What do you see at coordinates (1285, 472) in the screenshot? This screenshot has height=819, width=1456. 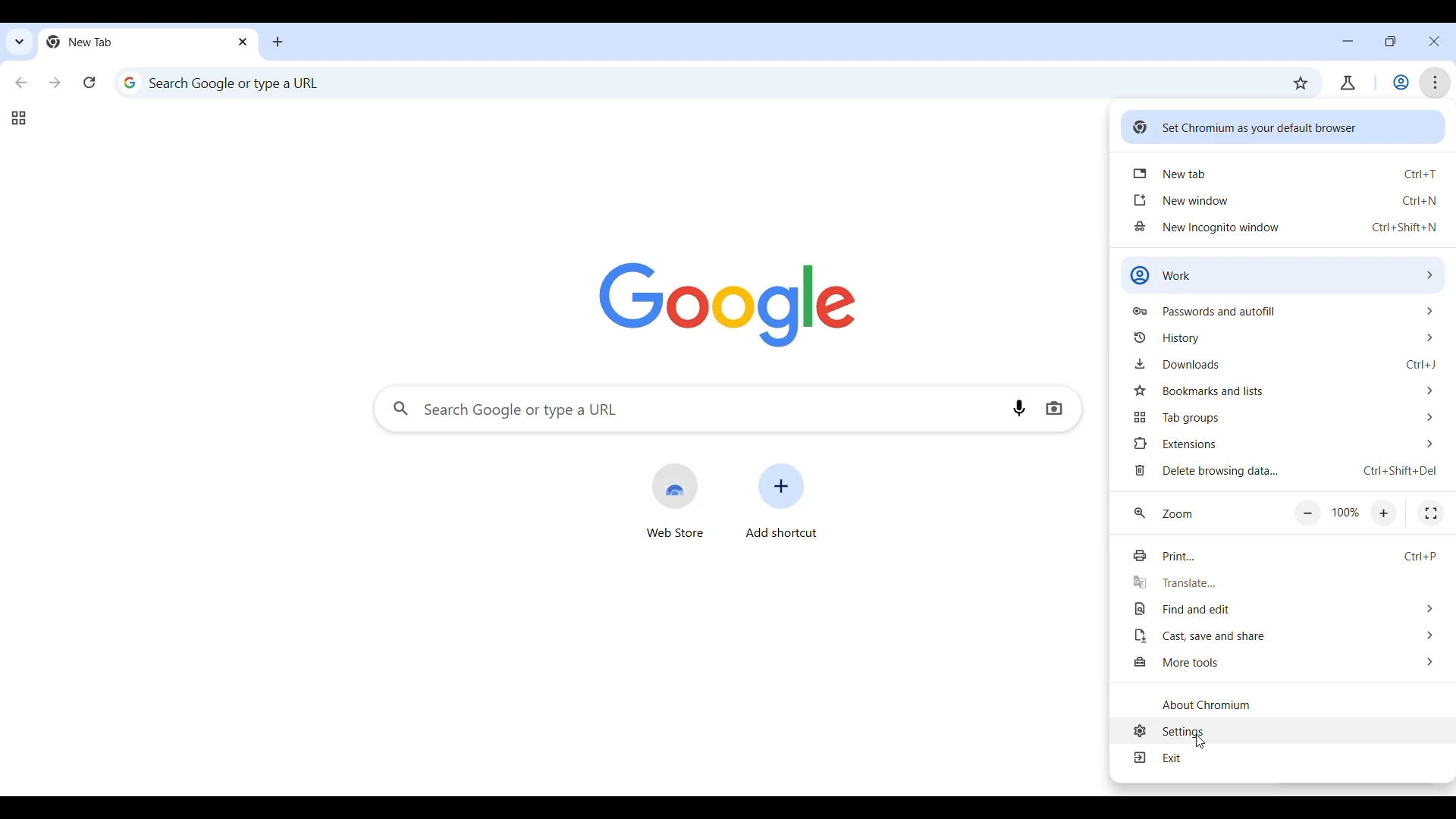 I see `Delete browsing data` at bounding box center [1285, 472].